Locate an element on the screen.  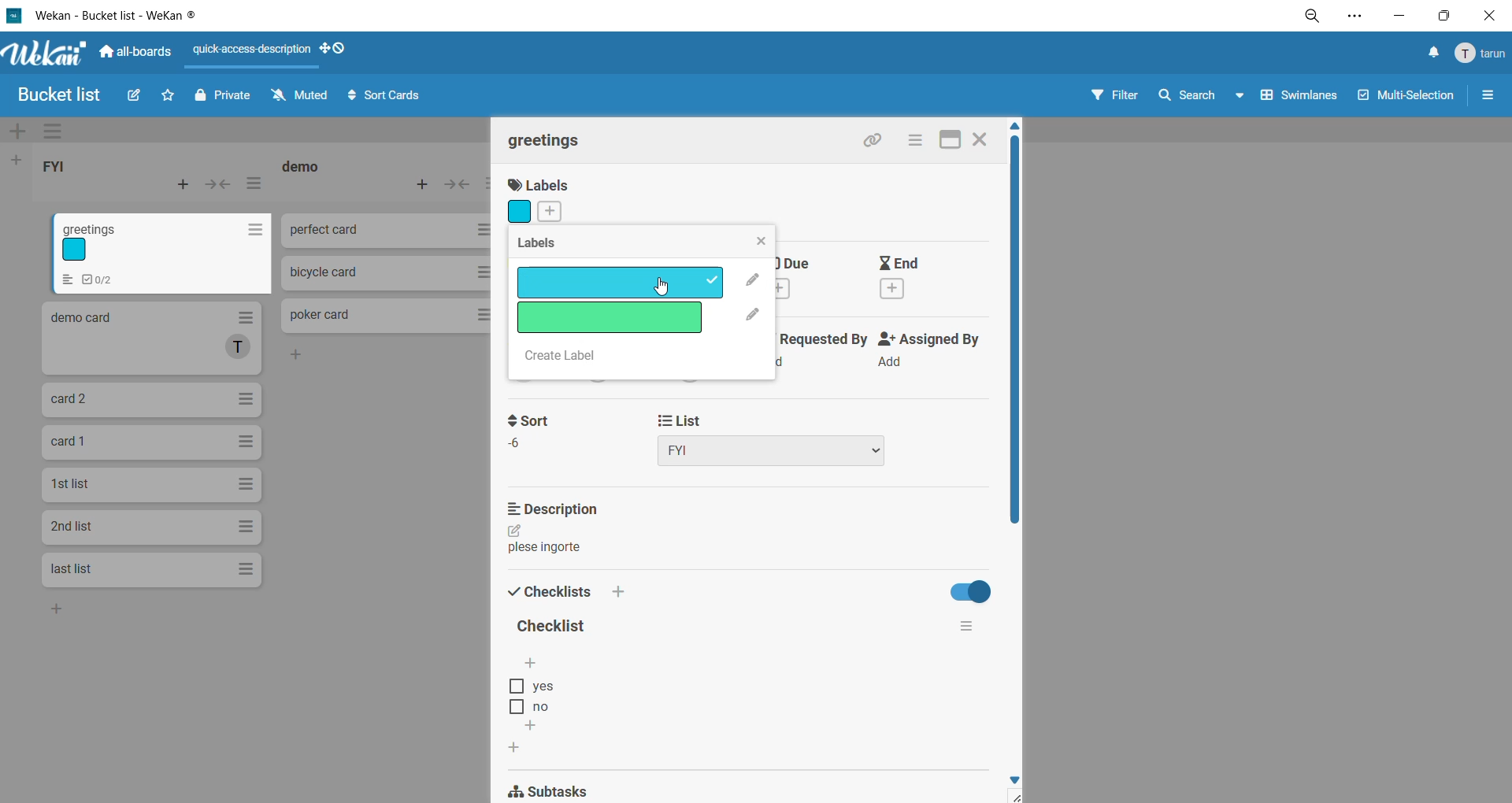
close is located at coordinates (980, 140).